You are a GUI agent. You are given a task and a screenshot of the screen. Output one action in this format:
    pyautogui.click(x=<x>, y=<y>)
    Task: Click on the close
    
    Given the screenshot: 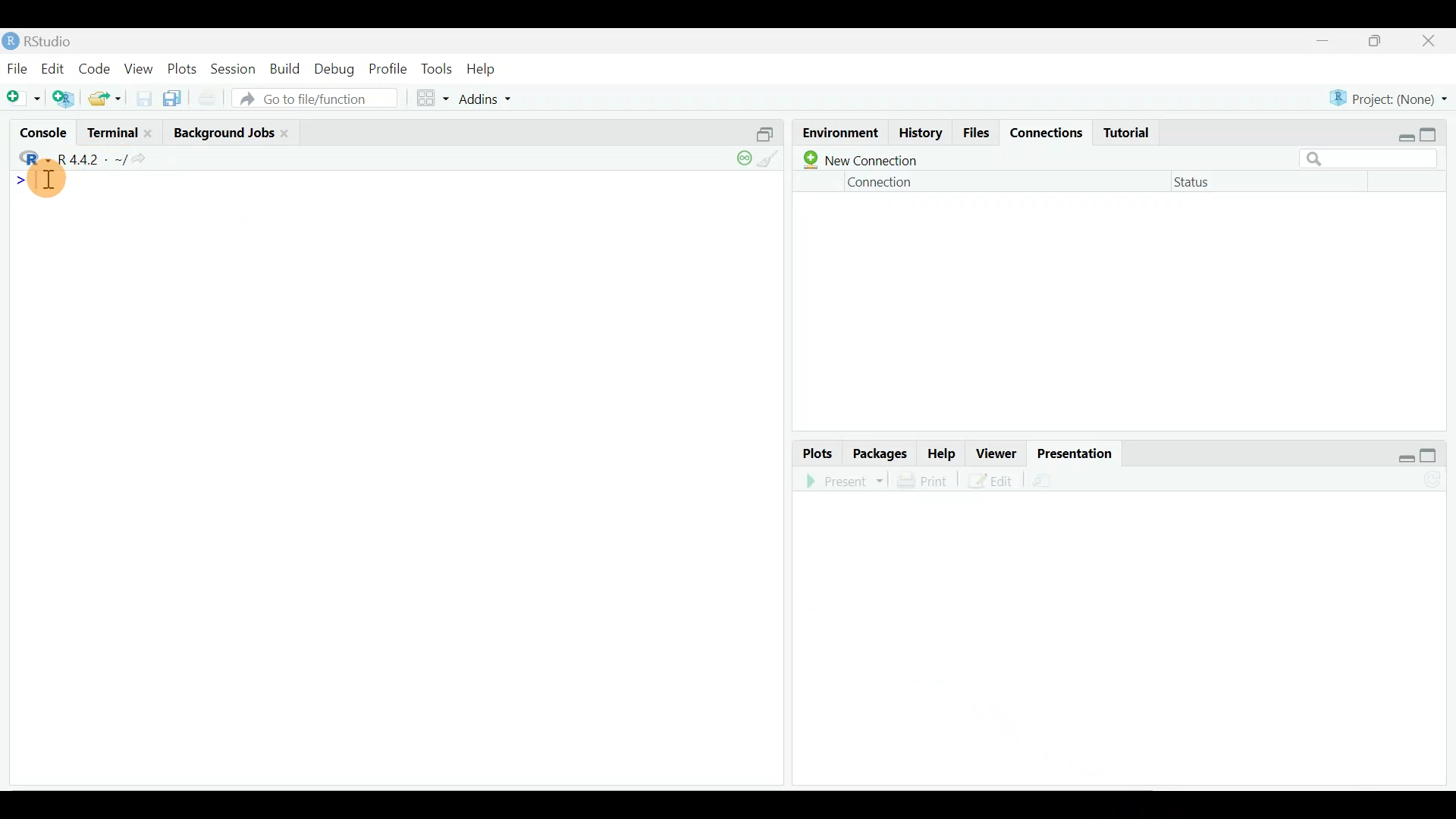 What is the action you would take?
    pyautogui.click(x=1435, y=40)
    